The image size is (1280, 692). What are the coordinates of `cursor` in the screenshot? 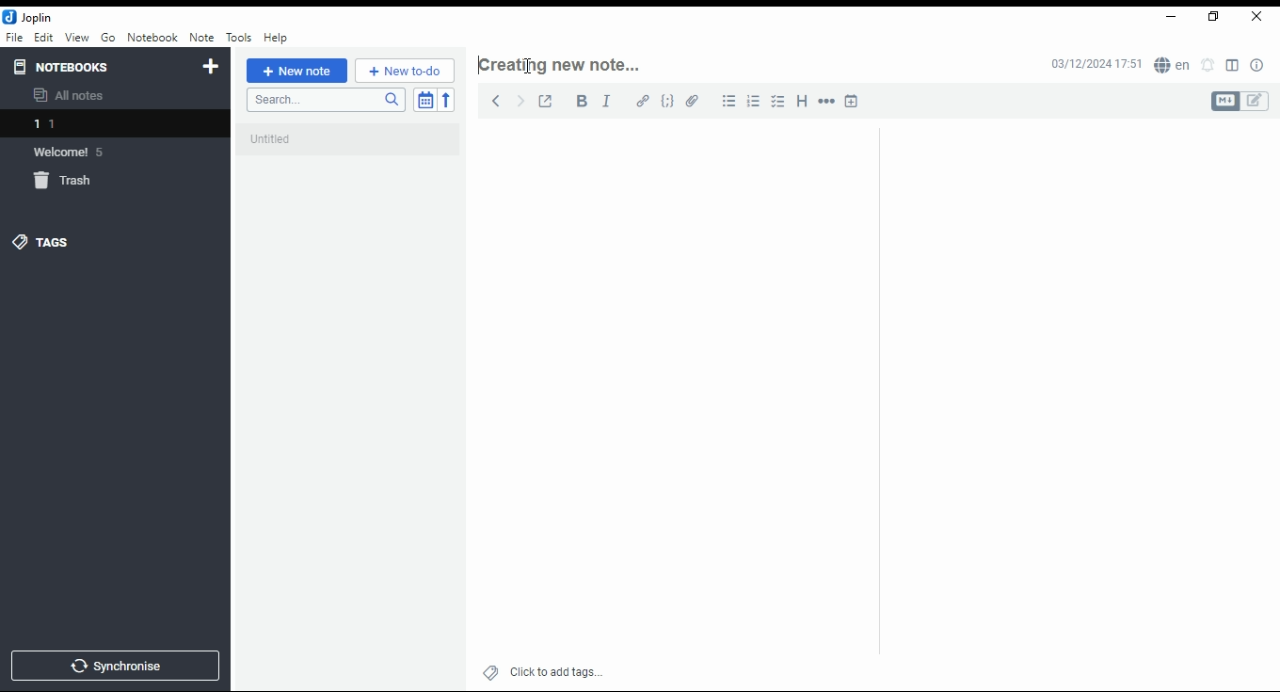 It's located at (528, 66).